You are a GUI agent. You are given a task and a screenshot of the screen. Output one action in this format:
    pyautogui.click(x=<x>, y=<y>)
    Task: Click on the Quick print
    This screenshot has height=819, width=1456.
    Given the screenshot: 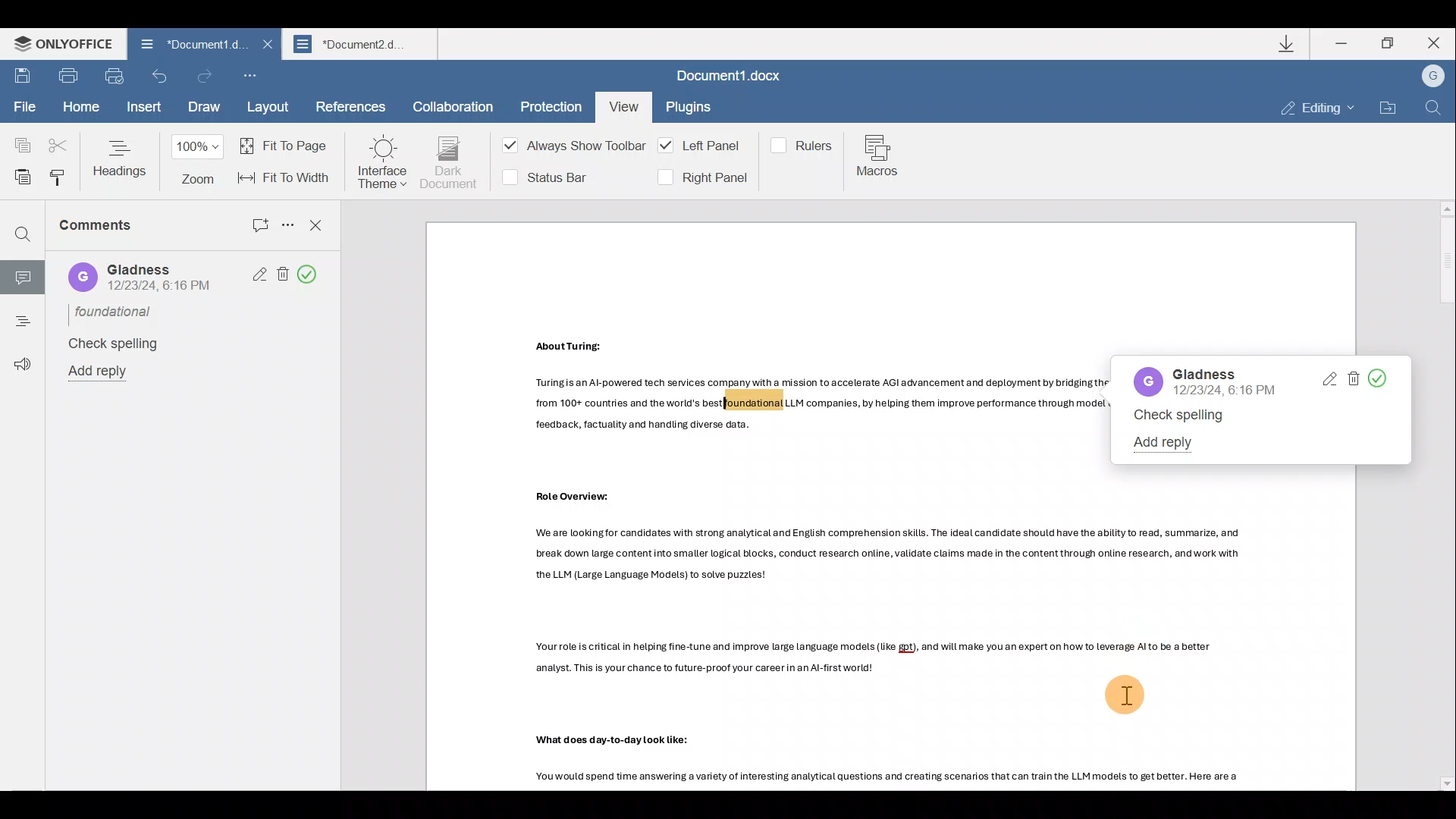 What is the action you would take?
    pyautogui.click(x=118, y=77)
    